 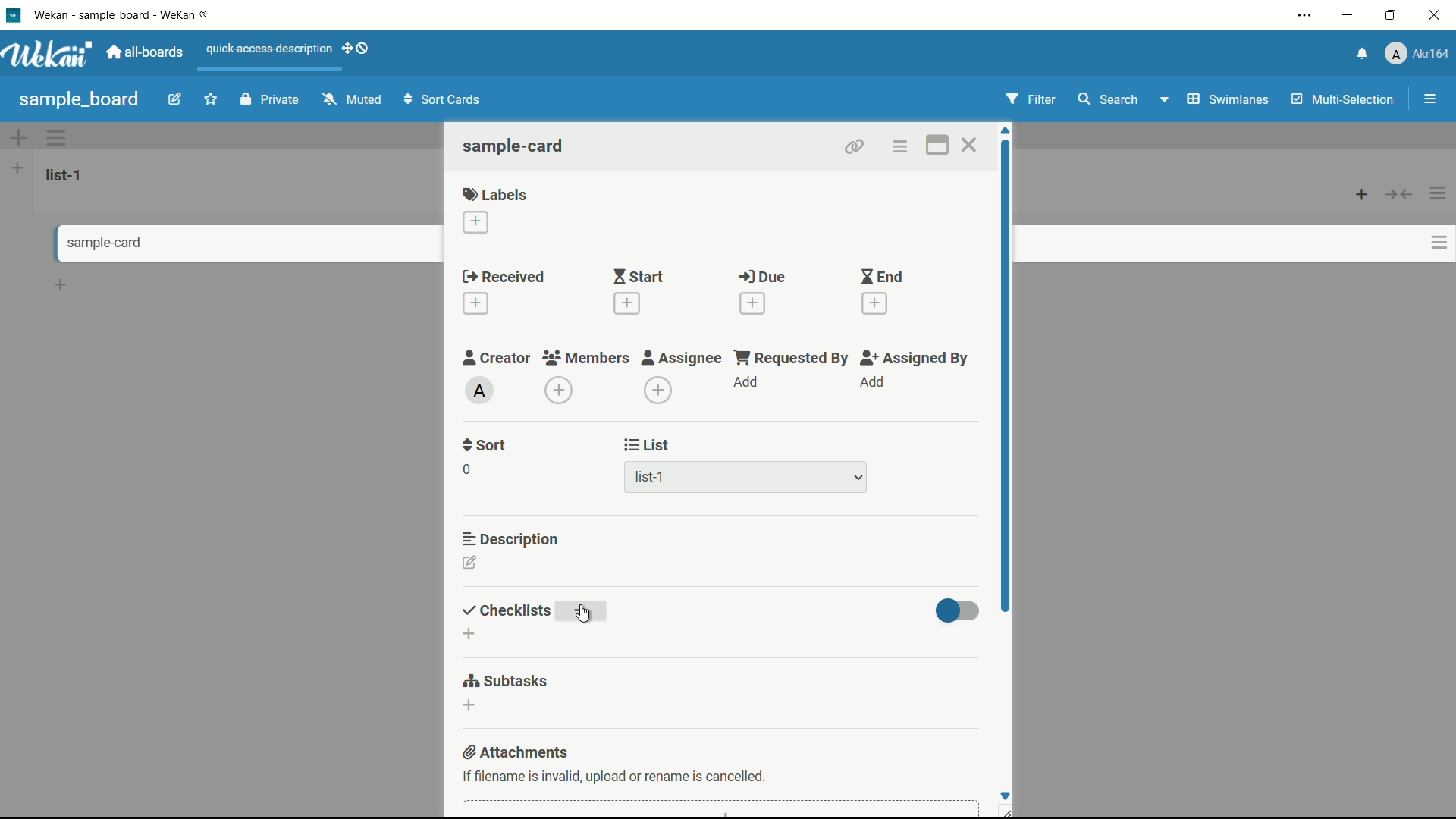 What do you see at coordinates (47, 54) in the screenshot?
I see `app logo` at bounding box center [47, 54].